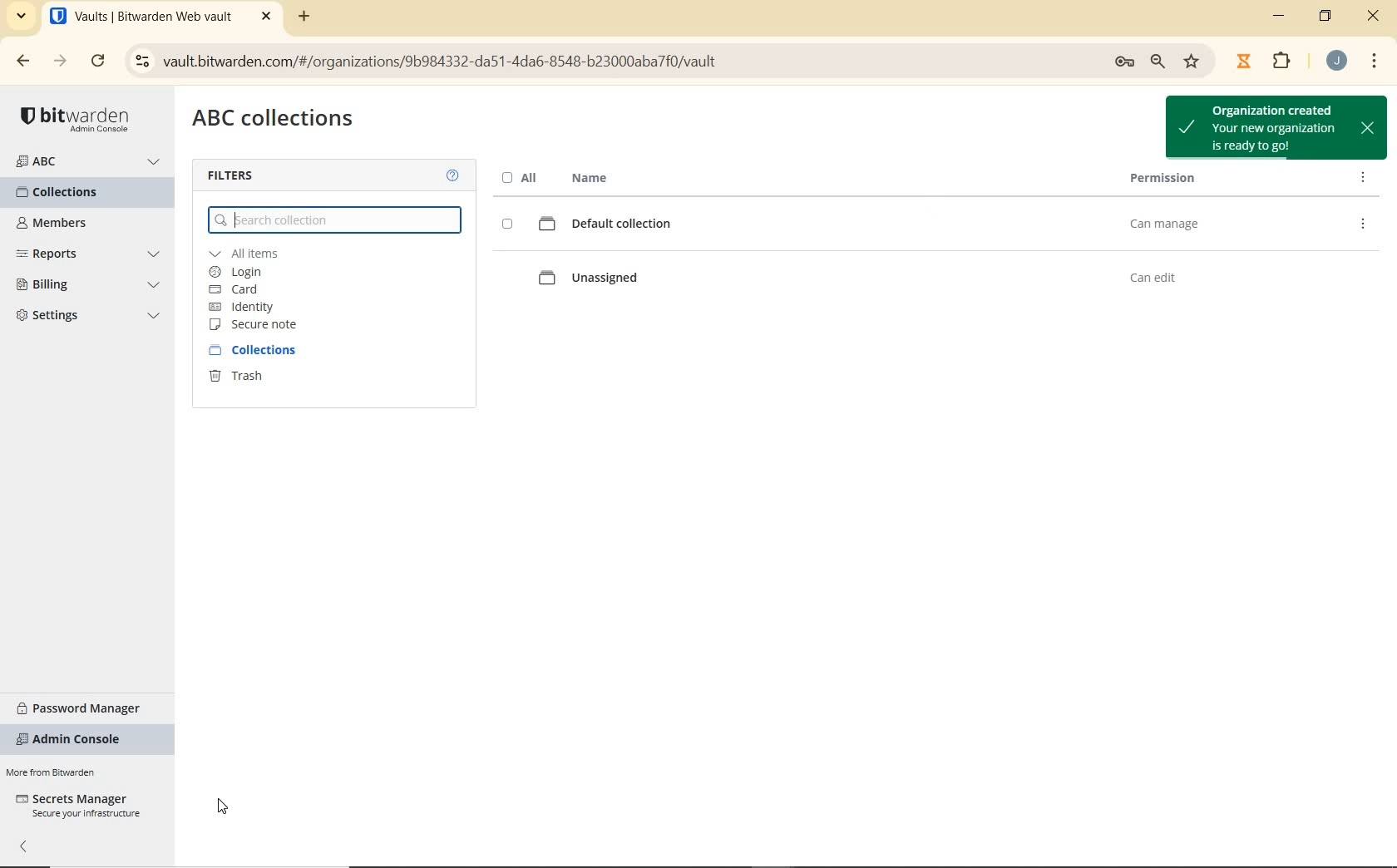  I want to click on minimize, so click(1281, 16).